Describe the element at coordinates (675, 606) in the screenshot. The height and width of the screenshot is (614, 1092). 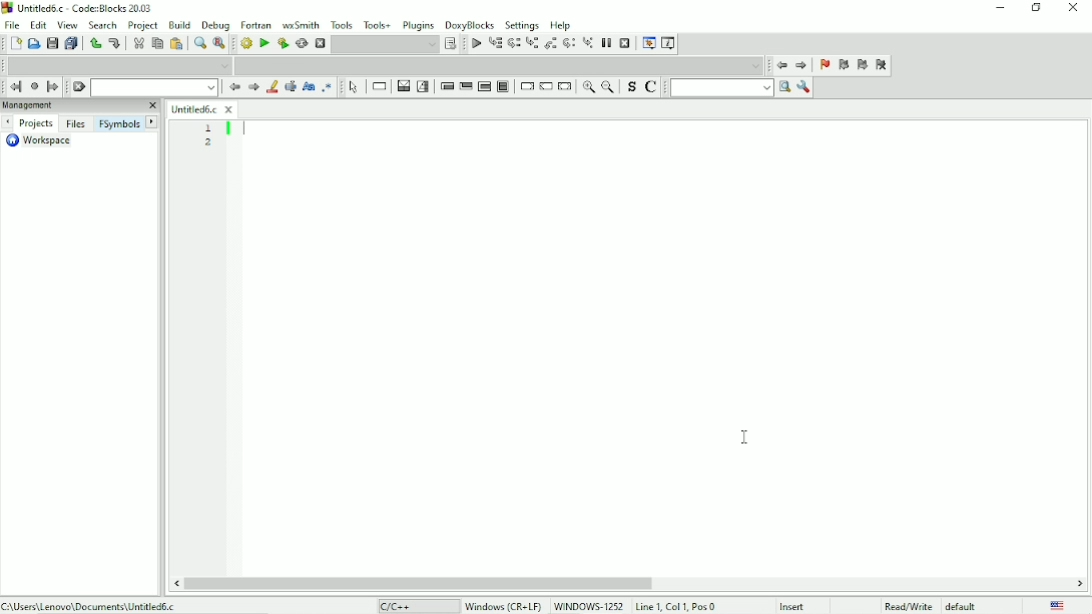
I see `Line 1, Col 1, Pos 0` at that location.